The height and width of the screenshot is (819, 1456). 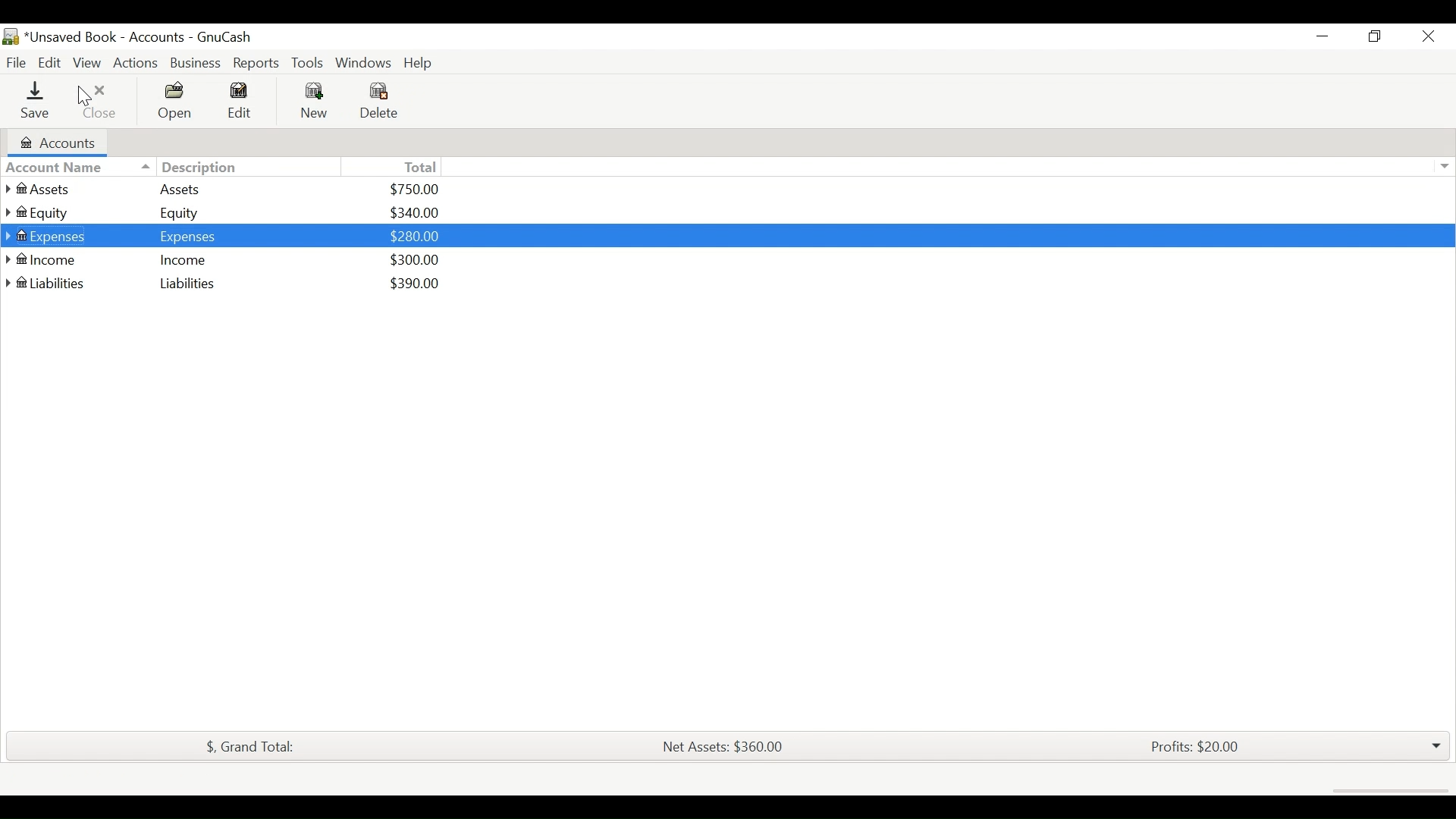 What do you see at coordinates (228, 39) in the screenshot?
I see `GnuCash` at bounding box center [228, 39].